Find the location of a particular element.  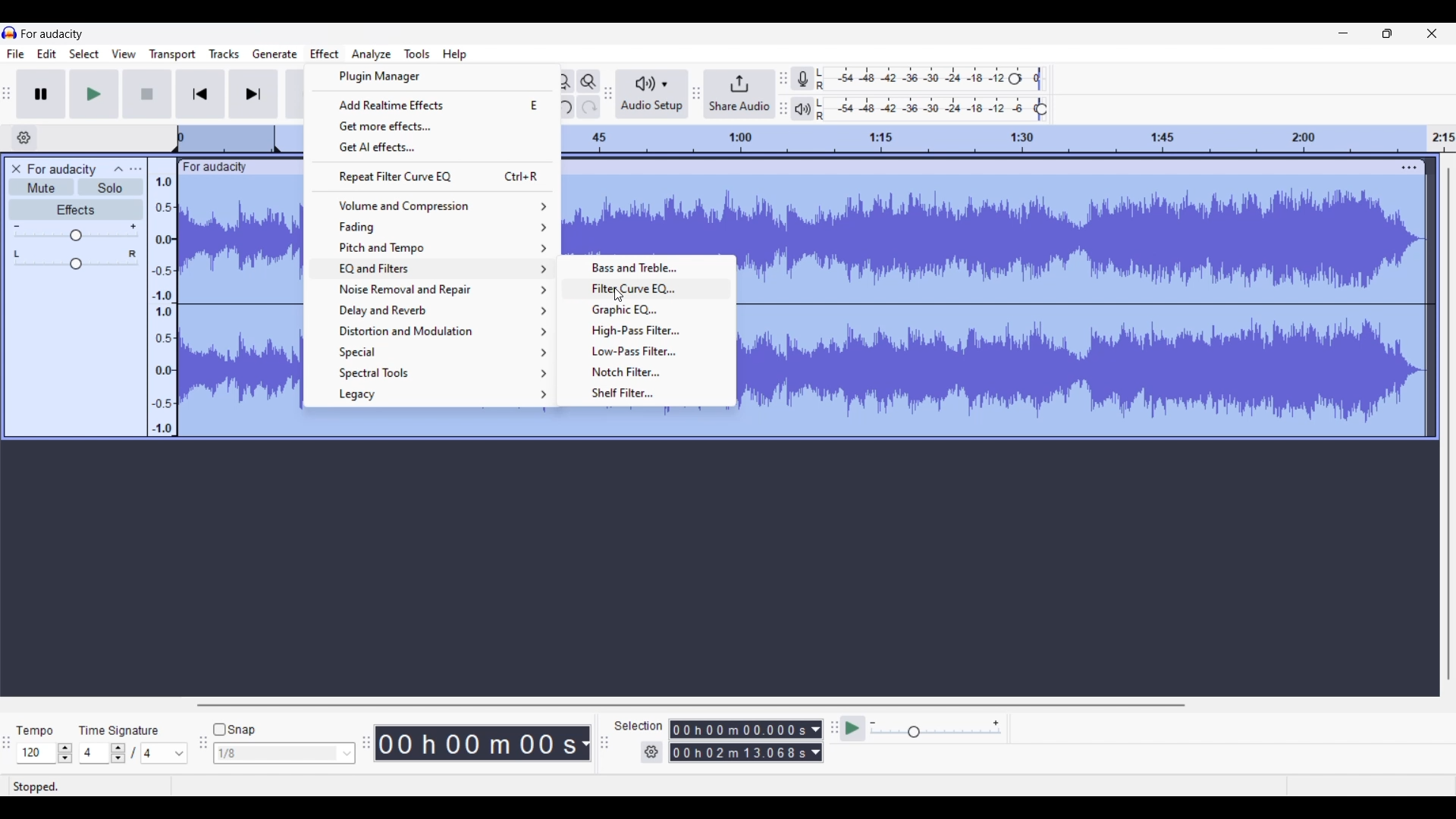

Noise removal and repair option is located at coordinates (435, 290).